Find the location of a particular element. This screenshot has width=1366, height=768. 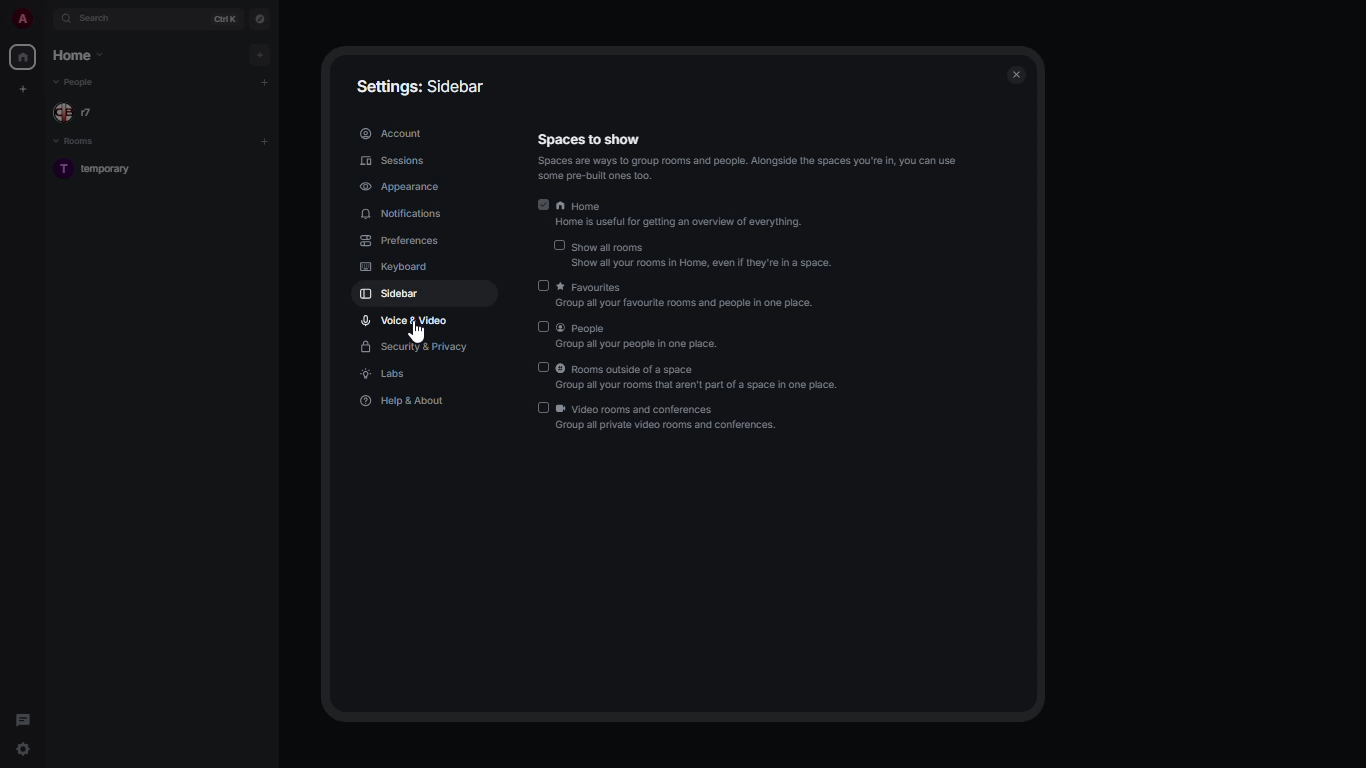

account is located at coordinates (395, 131).